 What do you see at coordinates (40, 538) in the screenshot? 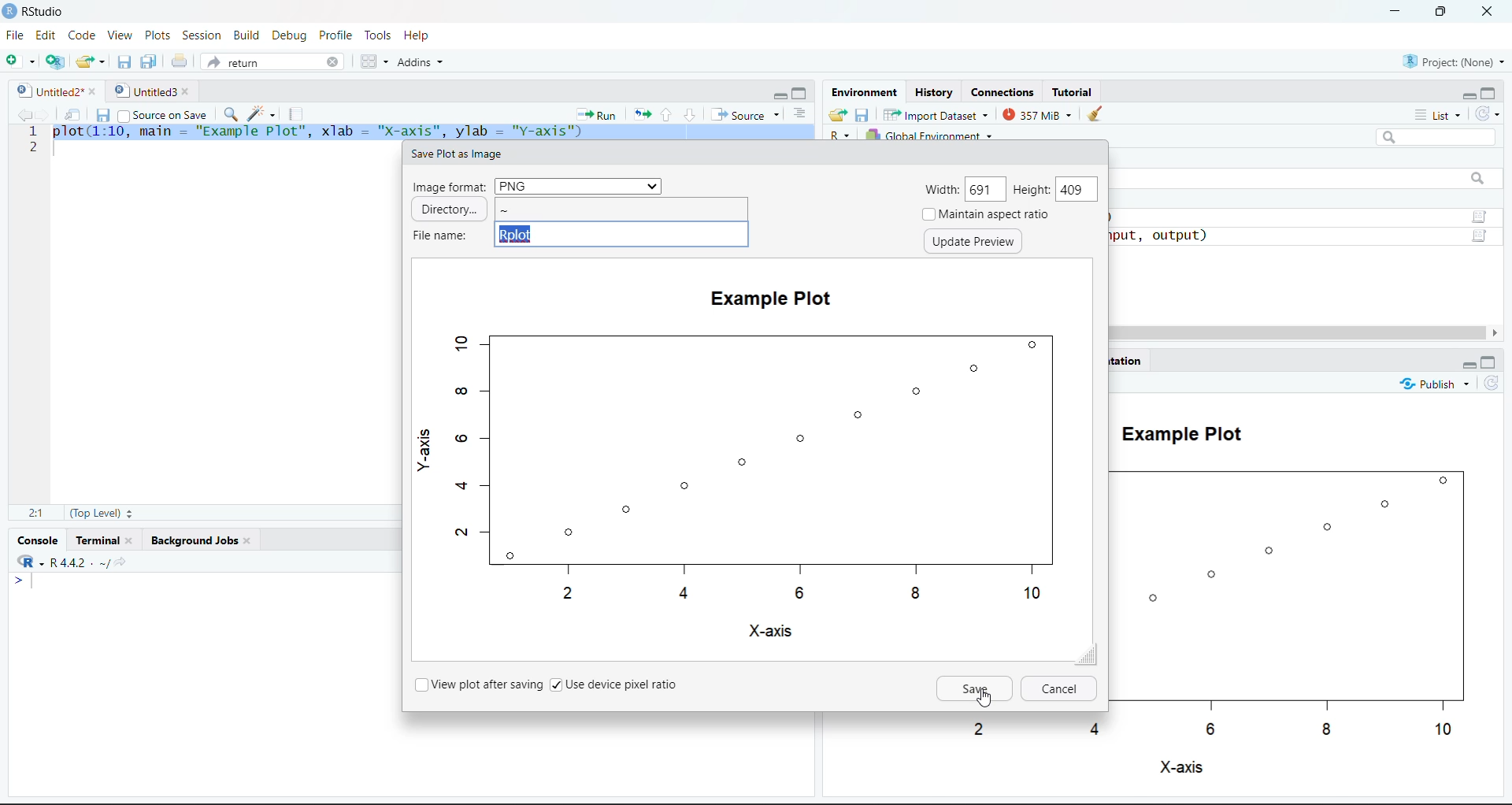
I see `Console` at bounding box center [40, 538].